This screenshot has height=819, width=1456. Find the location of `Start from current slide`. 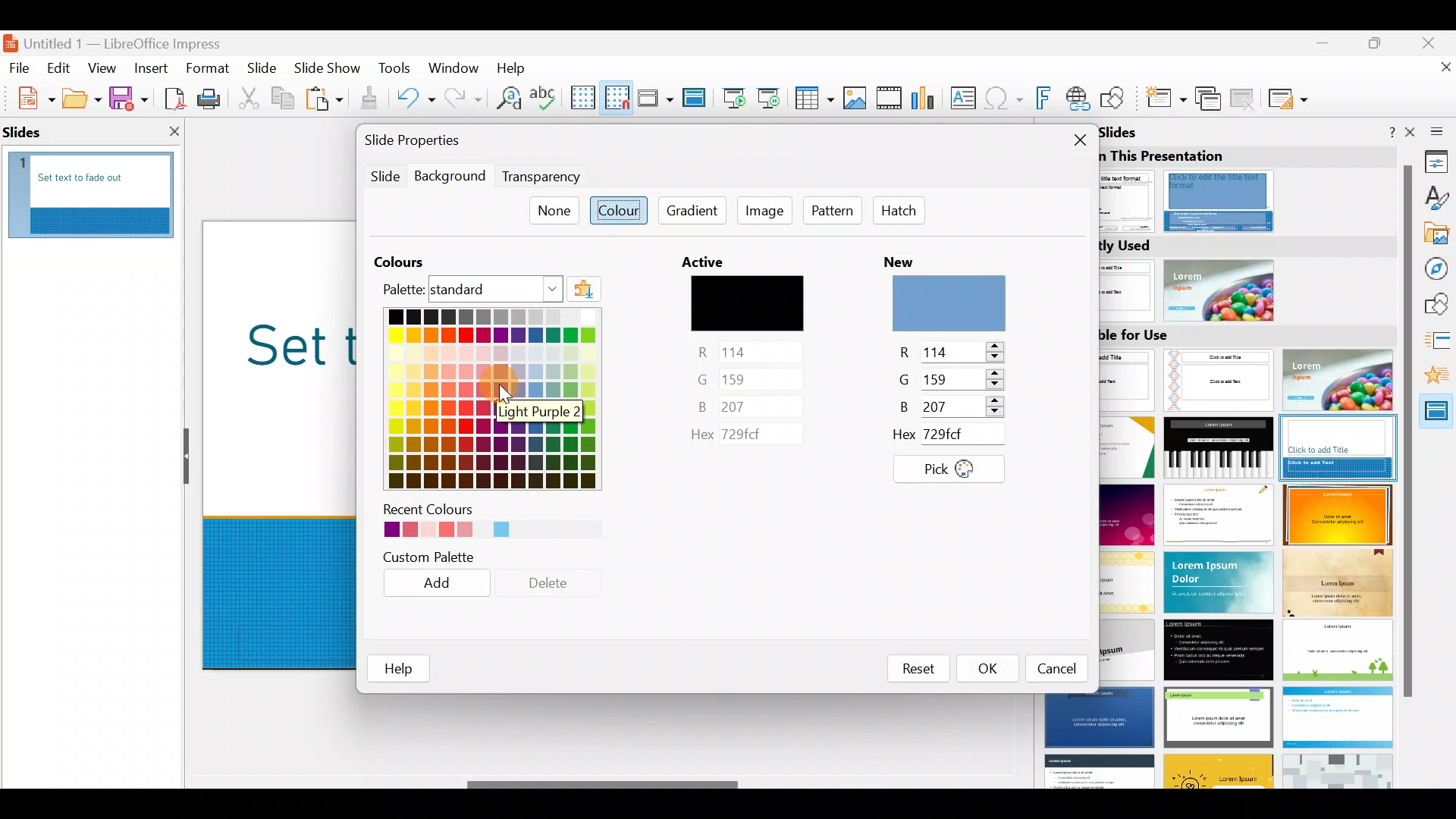

Start from current slide is located at coordinates (773, 97).